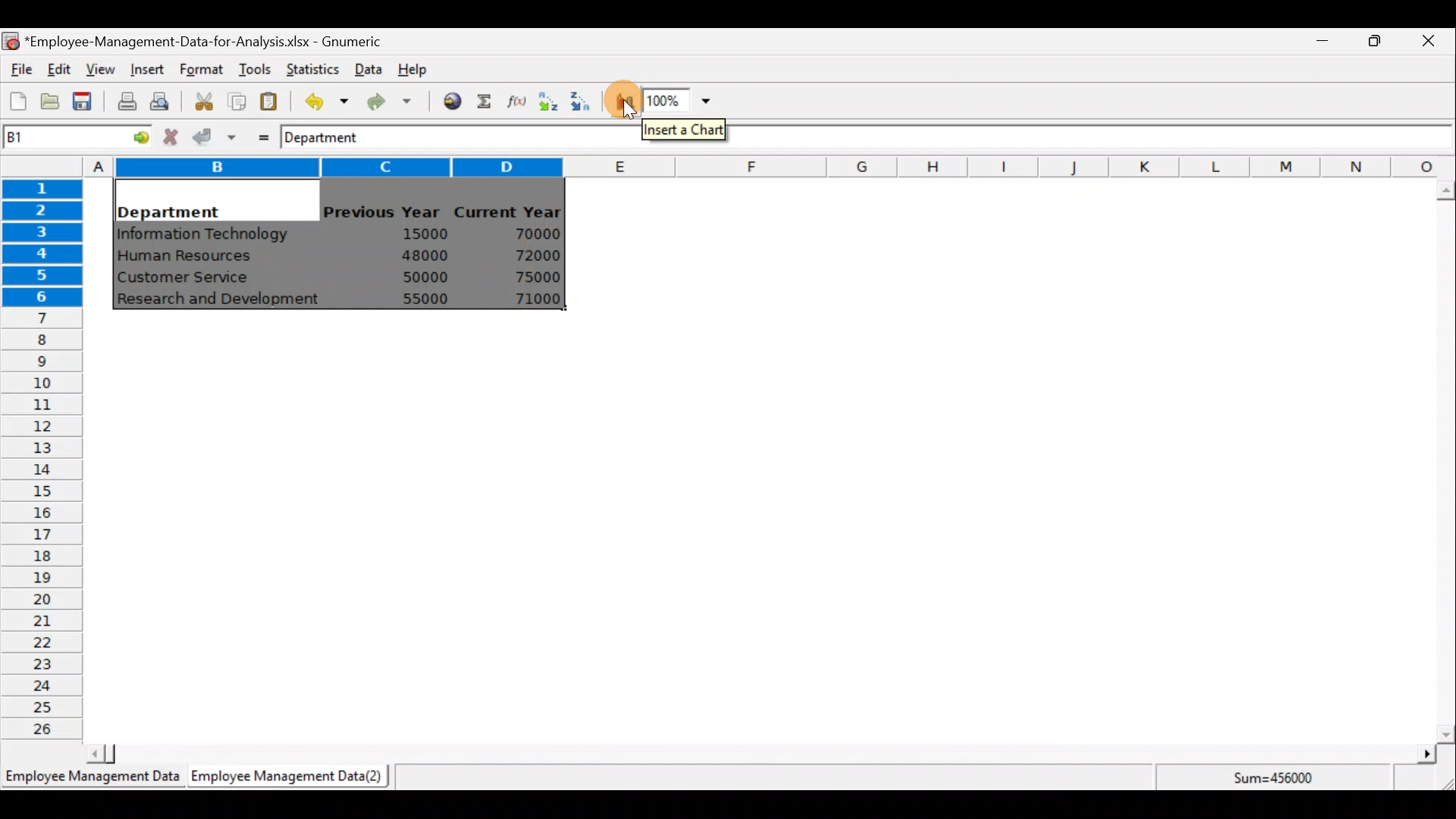 This screenshot has width=1456, height=819. I want to click on Sum into the current cell, so click(482, 101).